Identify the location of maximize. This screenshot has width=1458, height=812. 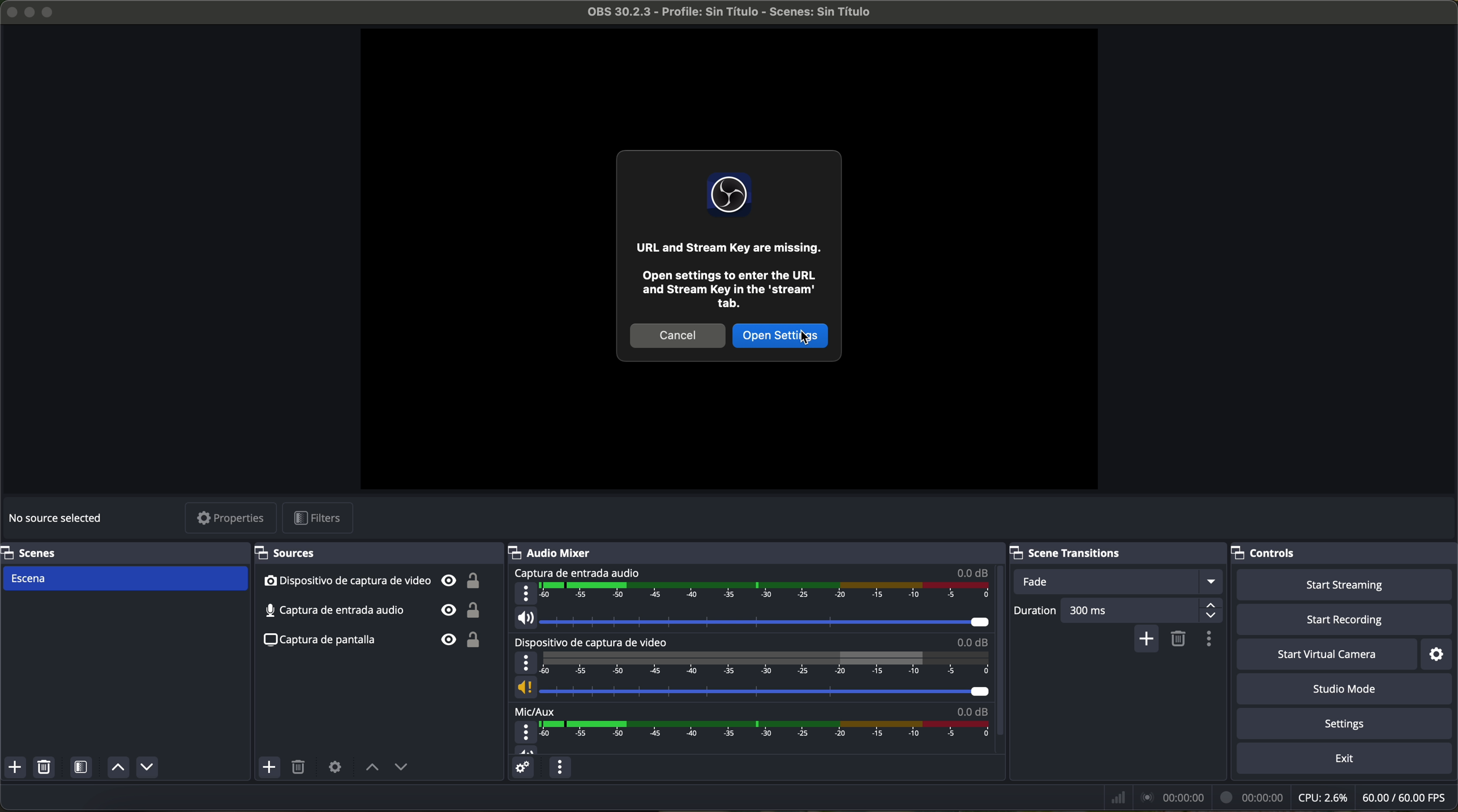
(50, 12).